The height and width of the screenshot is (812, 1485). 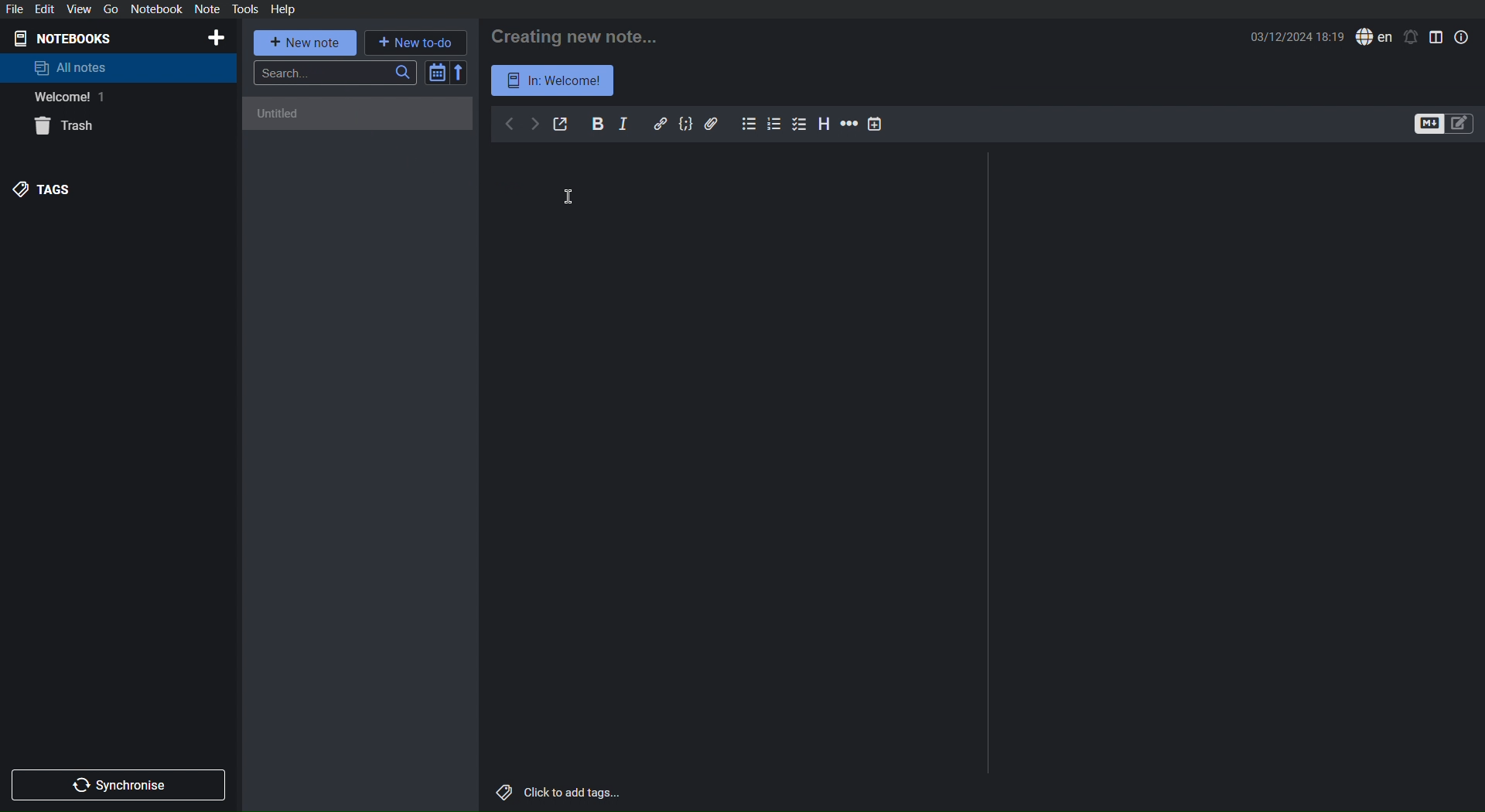 What do you see at coordinates (336, 73) in the screenshot?
I see `Search` at bounding box center [336, 73].